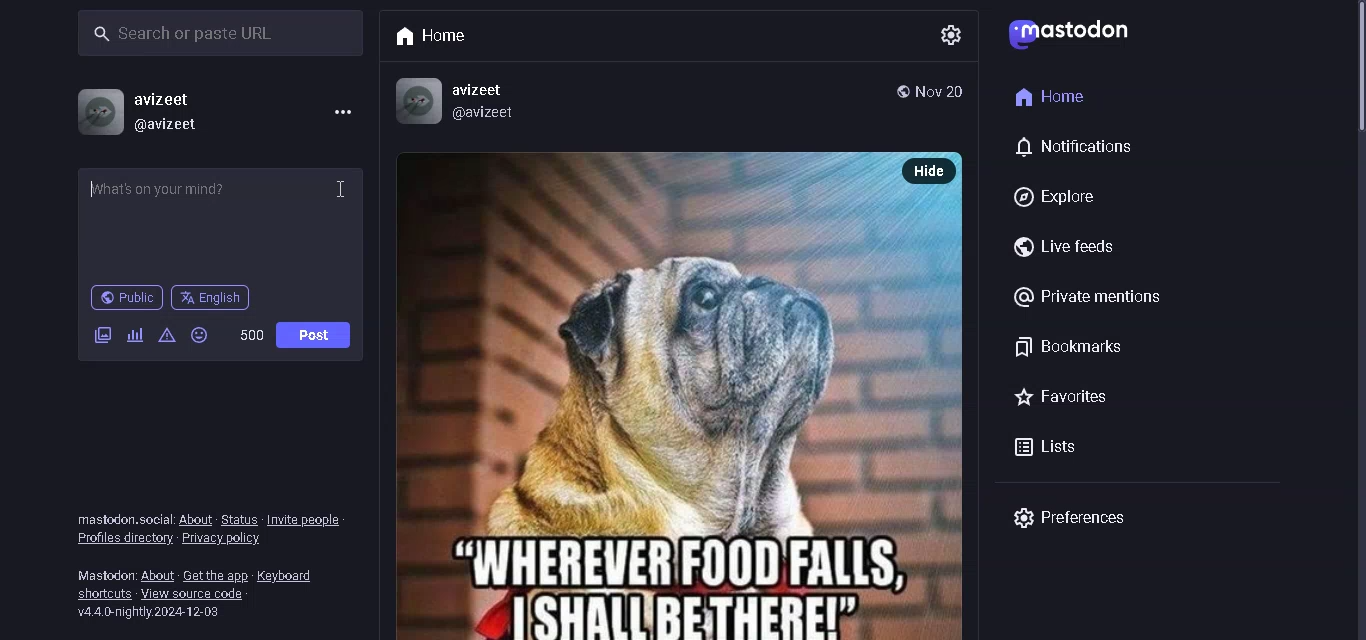 The image size is (1366, 640). I want to click on hide, so click(928, 171).